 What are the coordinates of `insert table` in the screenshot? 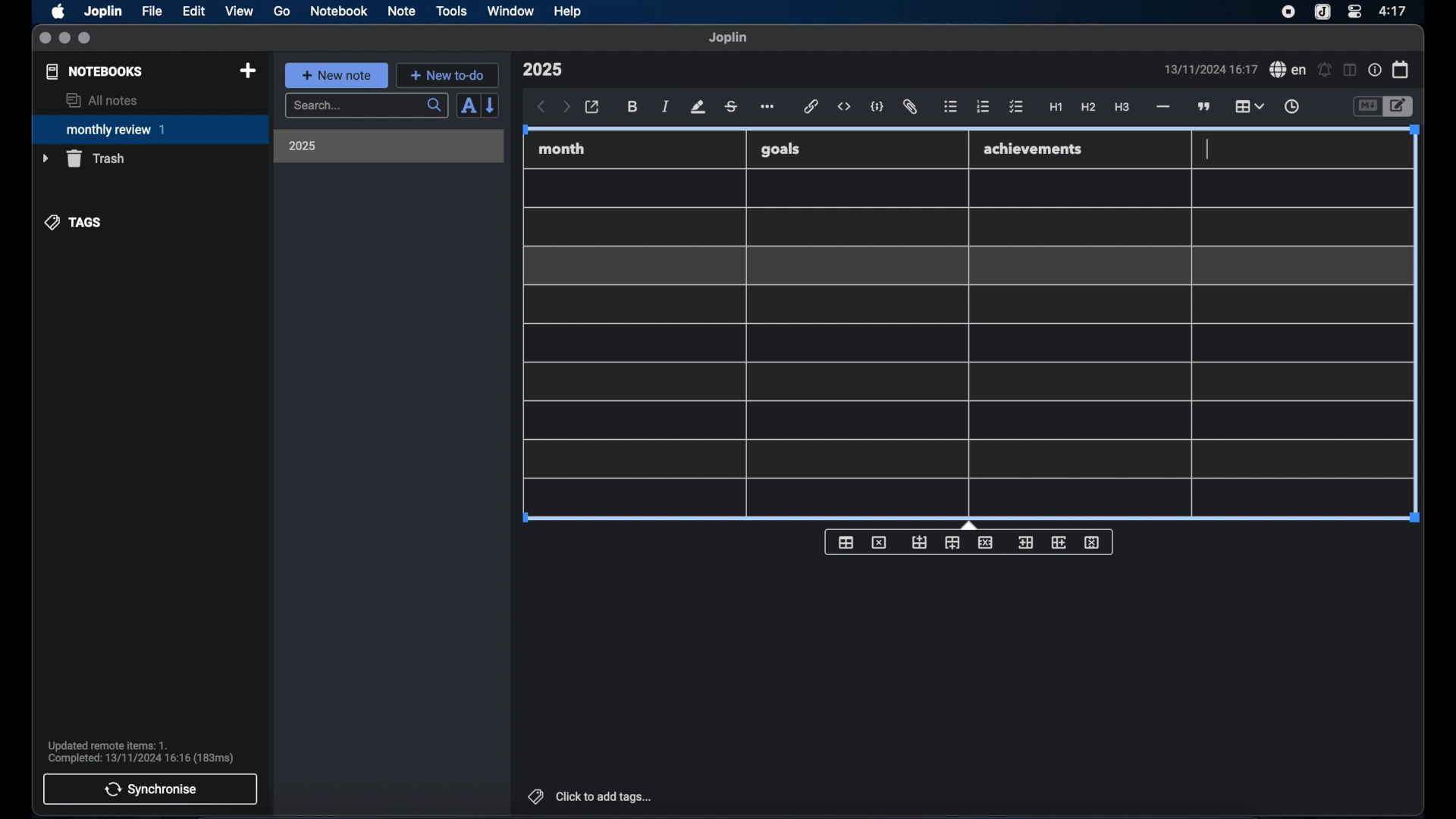 It's located at (846, 542).